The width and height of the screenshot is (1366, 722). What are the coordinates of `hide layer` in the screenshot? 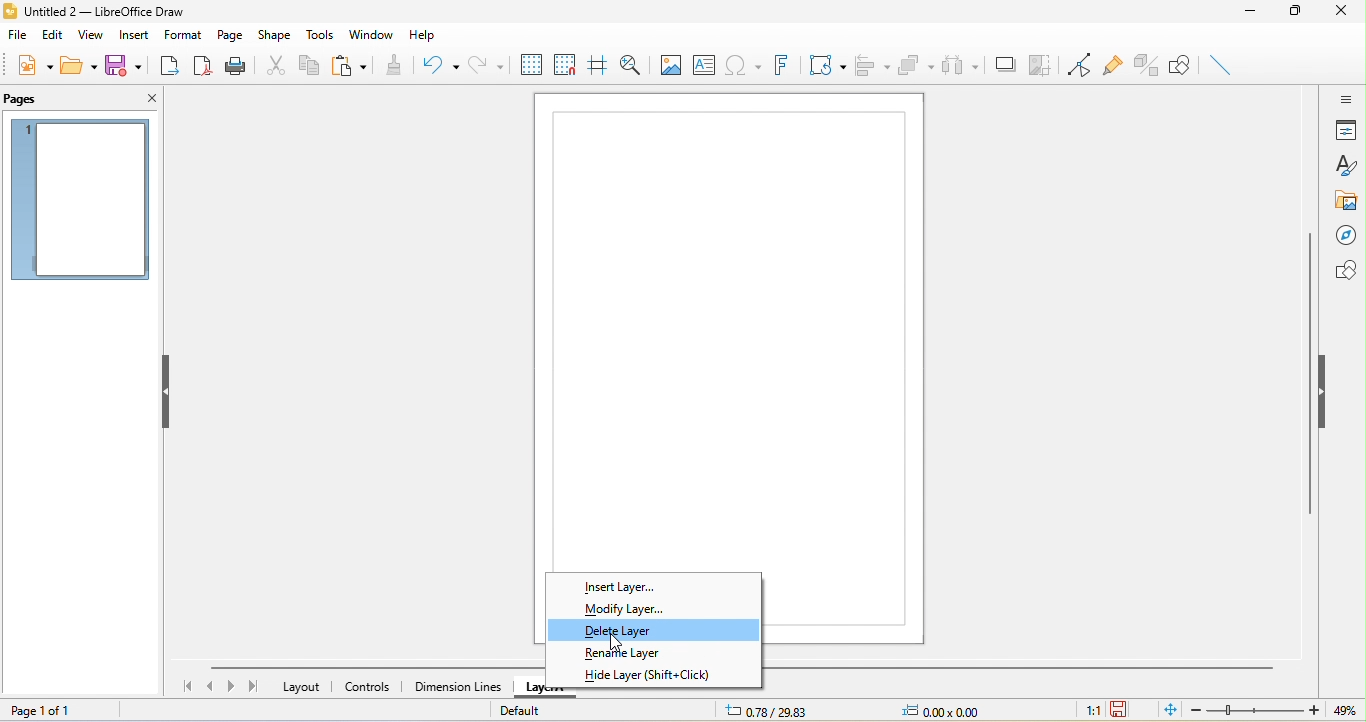 It's located at (654, 676).